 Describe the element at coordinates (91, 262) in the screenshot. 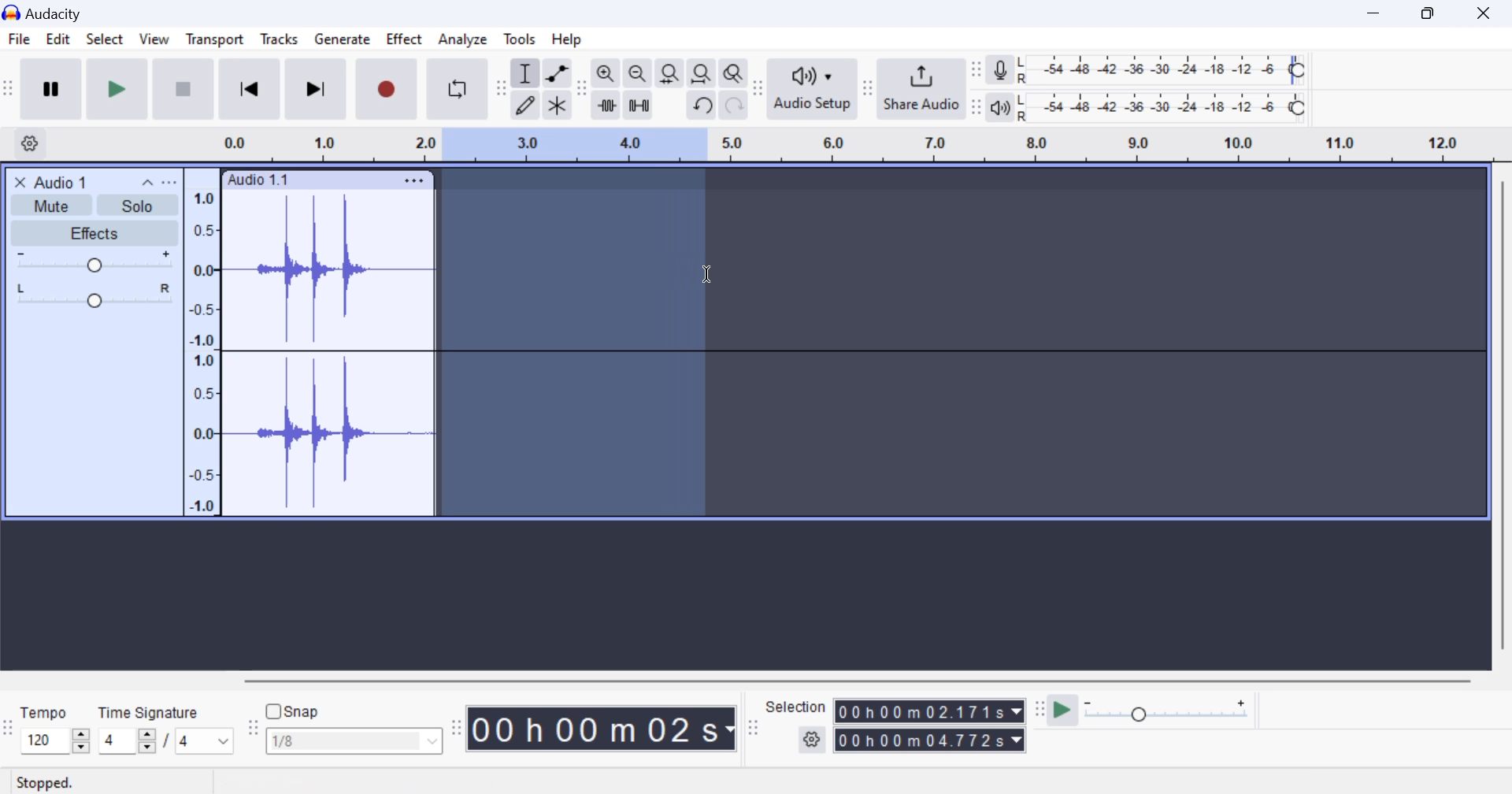

I see `Volume` at that location.